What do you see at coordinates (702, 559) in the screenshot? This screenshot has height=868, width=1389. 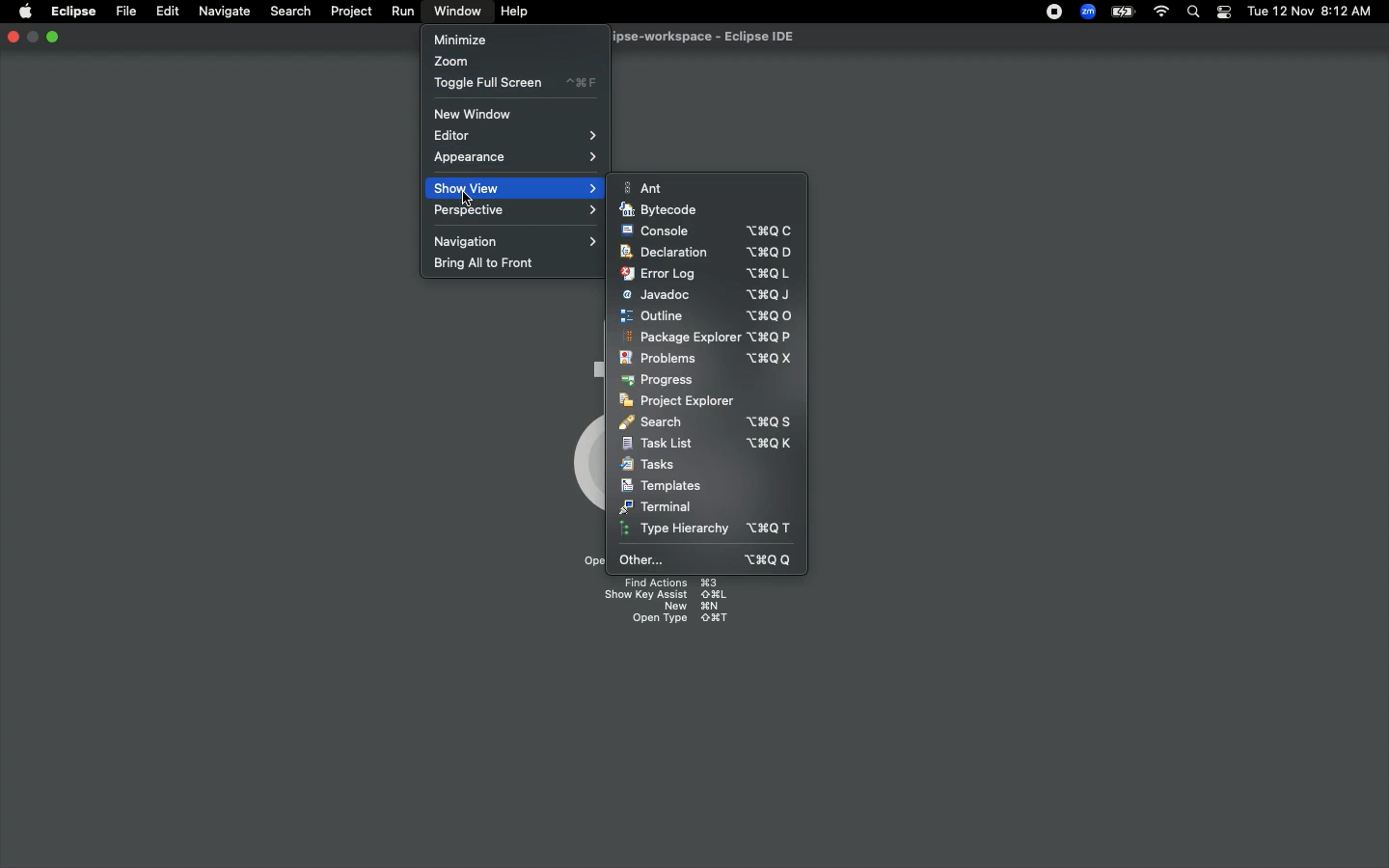 I see `Other` at bounding box center [702, 559].